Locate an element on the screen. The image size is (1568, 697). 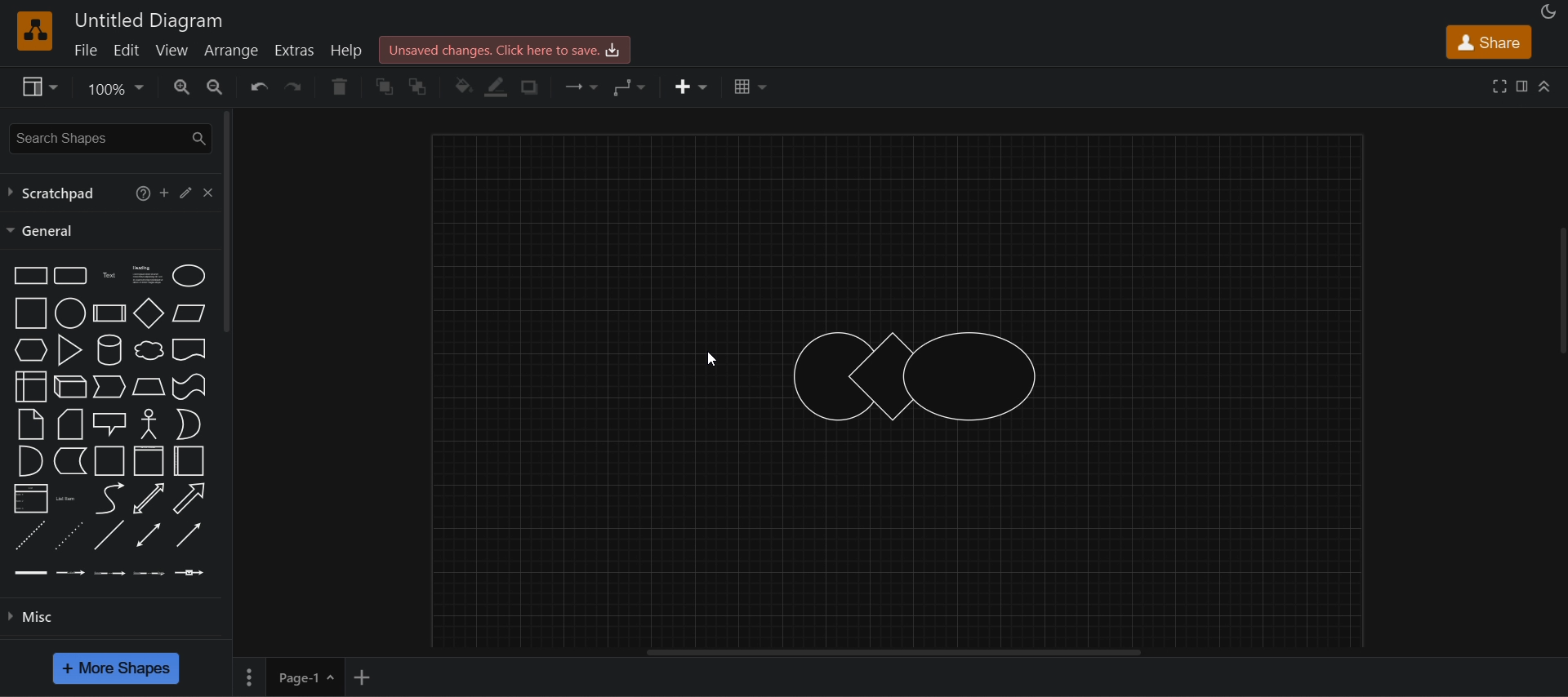
document is located at coordinates (189, 349).